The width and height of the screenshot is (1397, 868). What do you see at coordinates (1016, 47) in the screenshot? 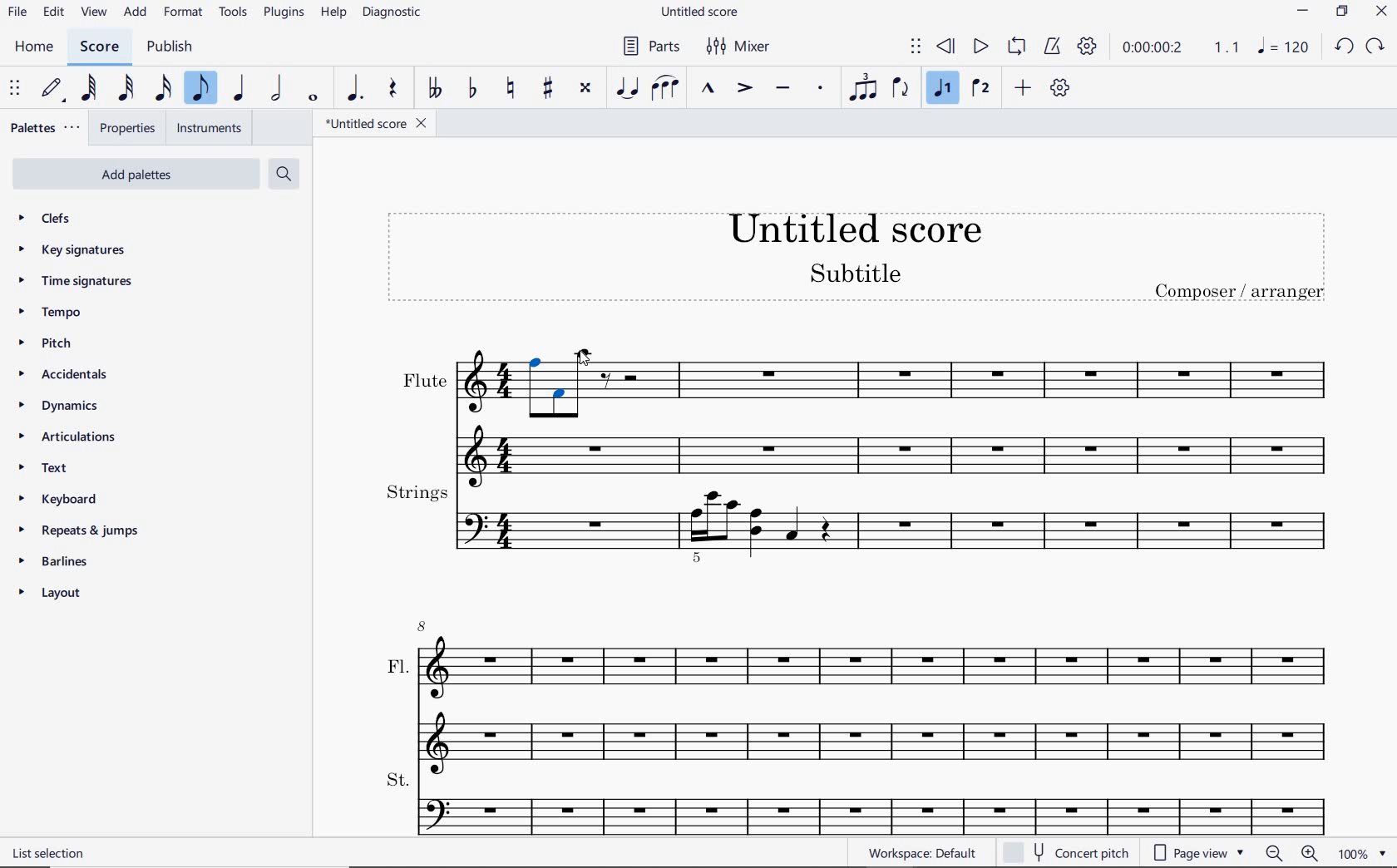
I see `LOOP PLAYBACK` at bounding box center [1016, 47].